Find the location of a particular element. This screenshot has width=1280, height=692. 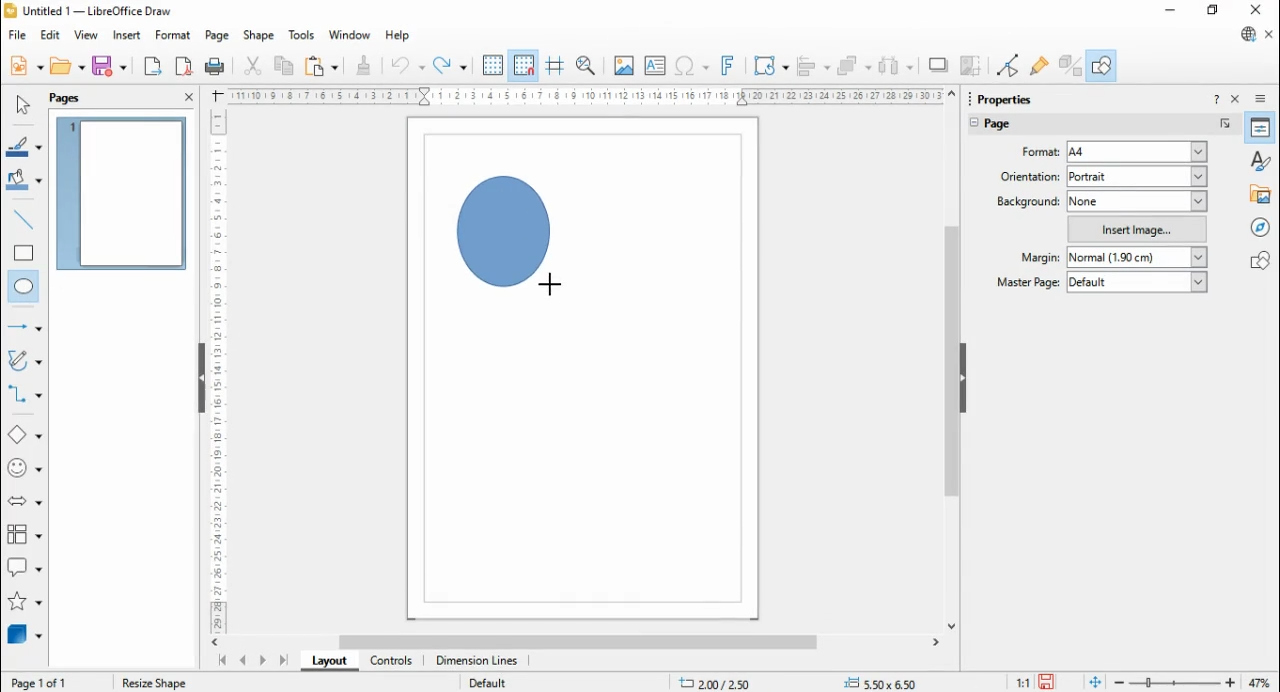

Scale is located at coordinates (217, 367).